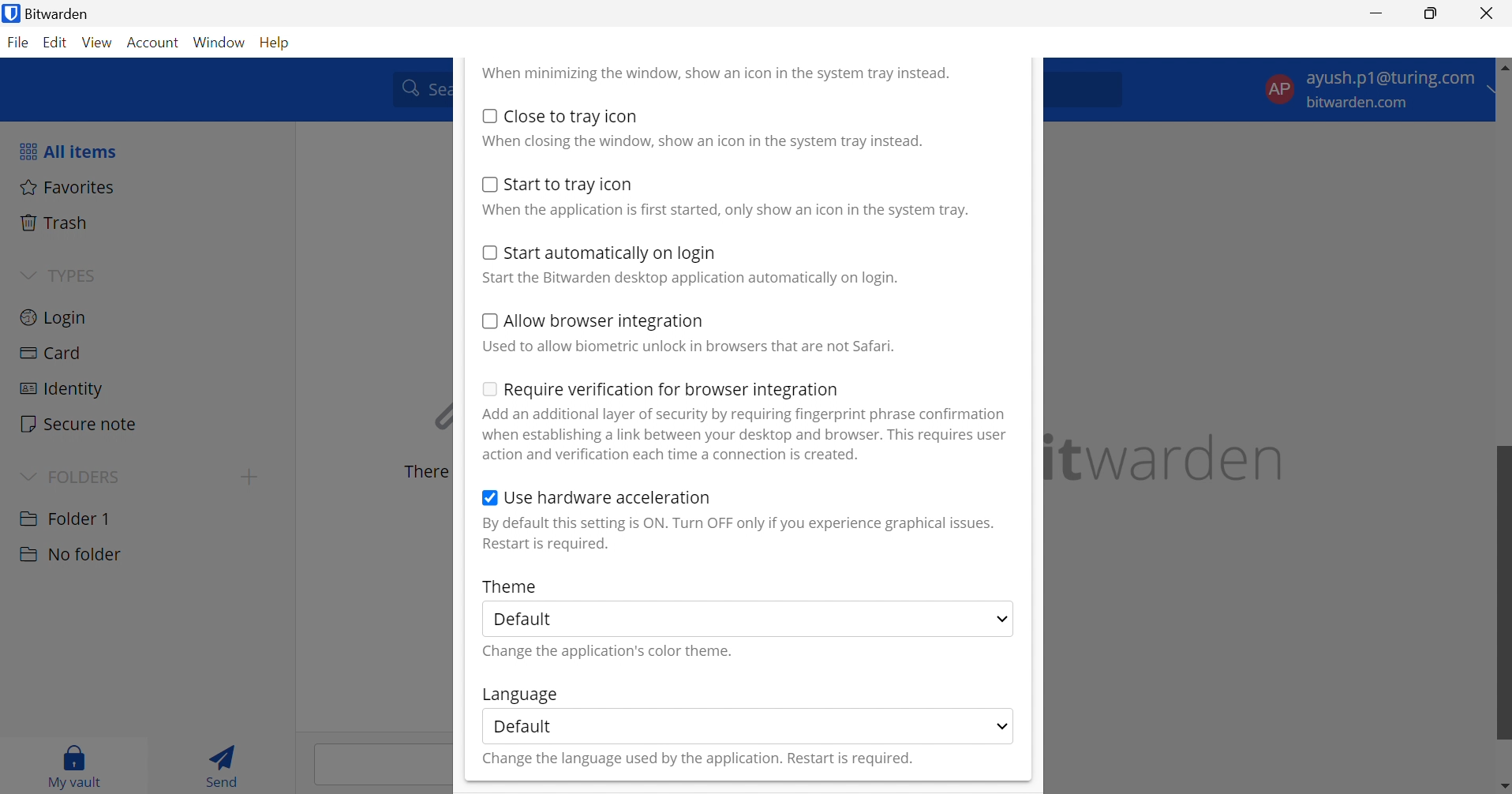 Image resolution: width=1512 pixels, height=794 pixels. What do you see at coordinates (53, 354) in the screenshot?
I see `Card` at bounding box center [53, 354].